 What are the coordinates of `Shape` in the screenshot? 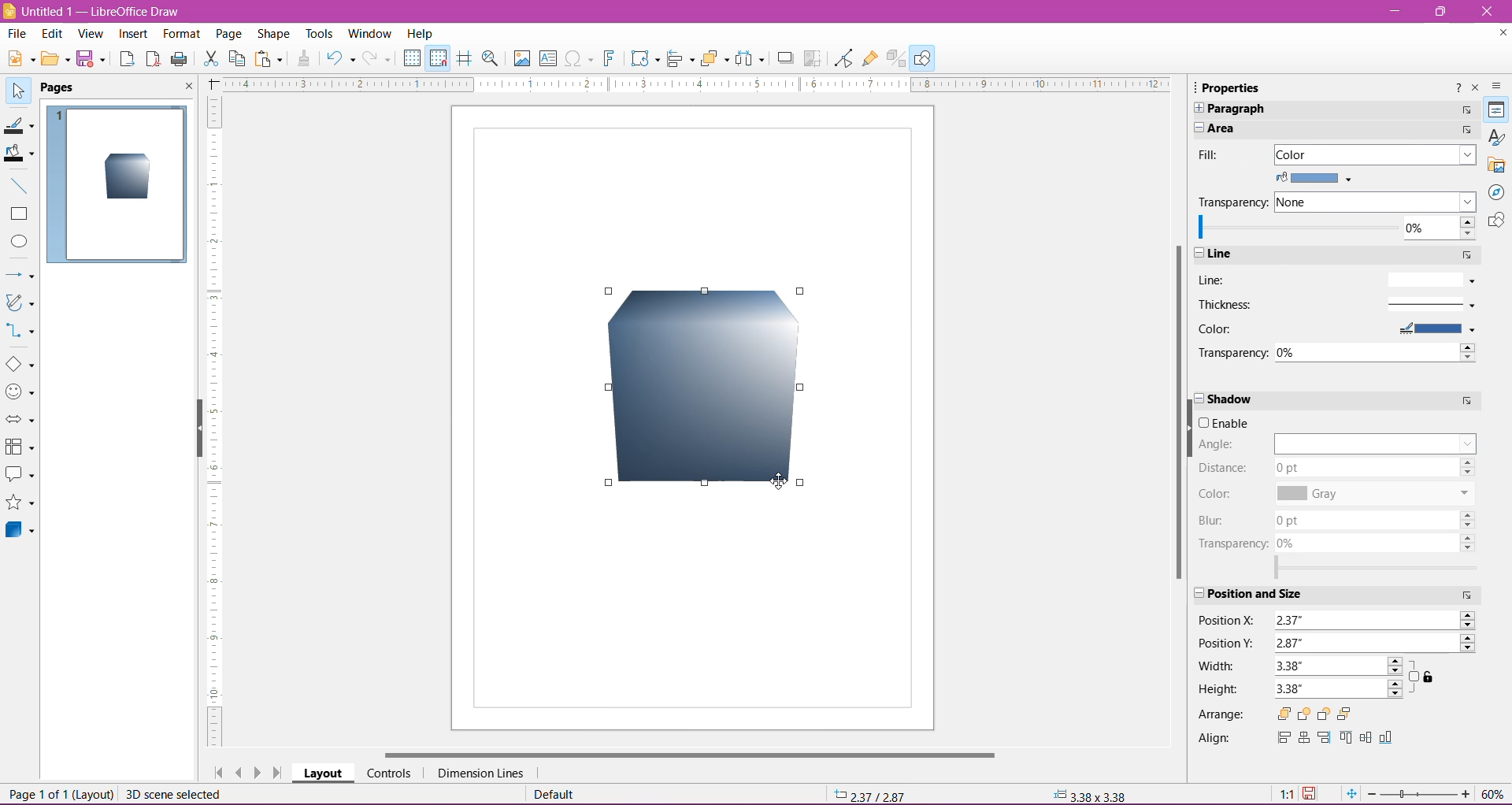 It's located at (273, 35).